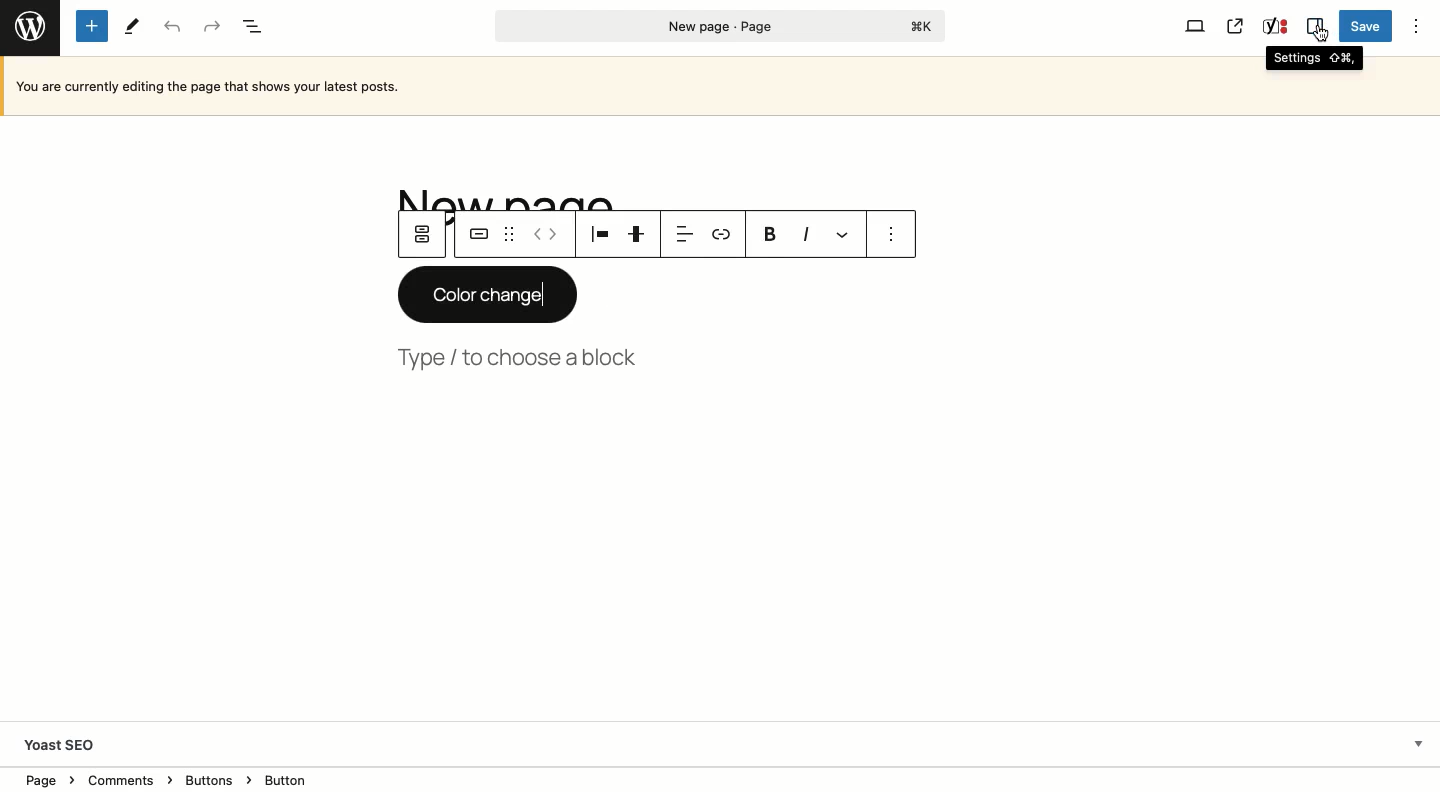  Describe the element at coordinates (602, 234) in the screenshot. I see `Align` at that location.